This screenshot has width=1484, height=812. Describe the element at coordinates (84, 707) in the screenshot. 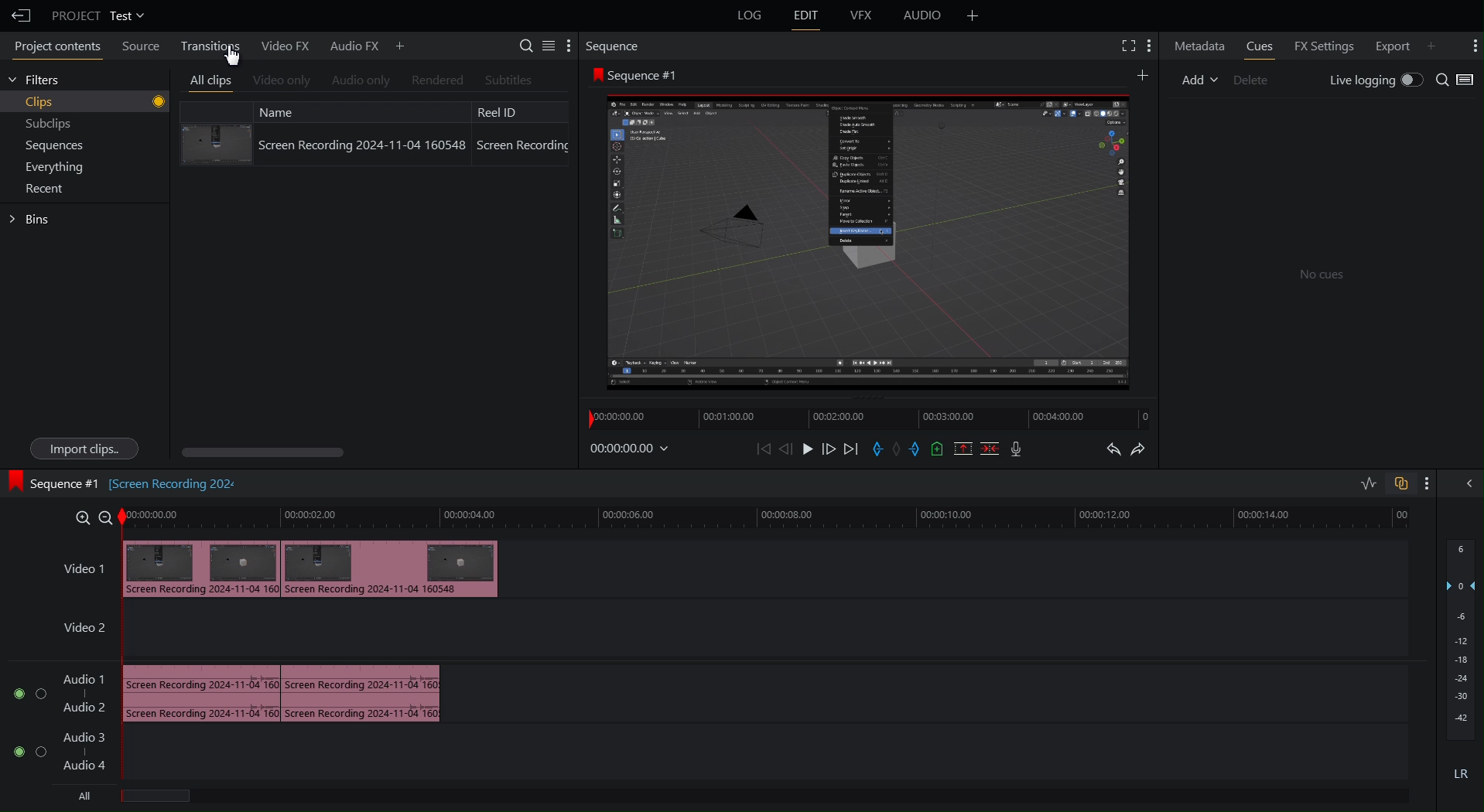

I see `Audio track 2` at that location.